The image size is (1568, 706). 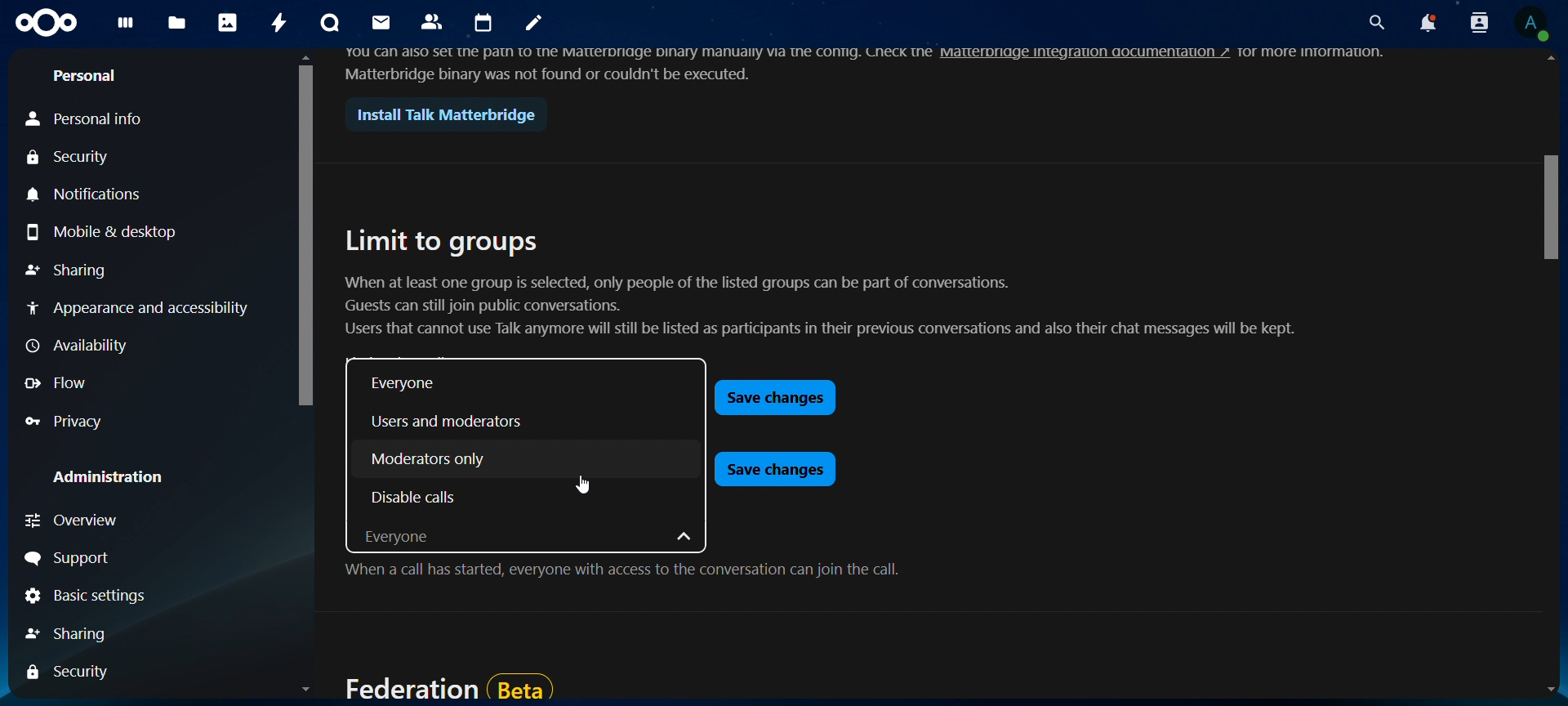 What do you see at coordinates (73, 634) in the screenshot?
I see `sharing` at bounding box center [73, 634].